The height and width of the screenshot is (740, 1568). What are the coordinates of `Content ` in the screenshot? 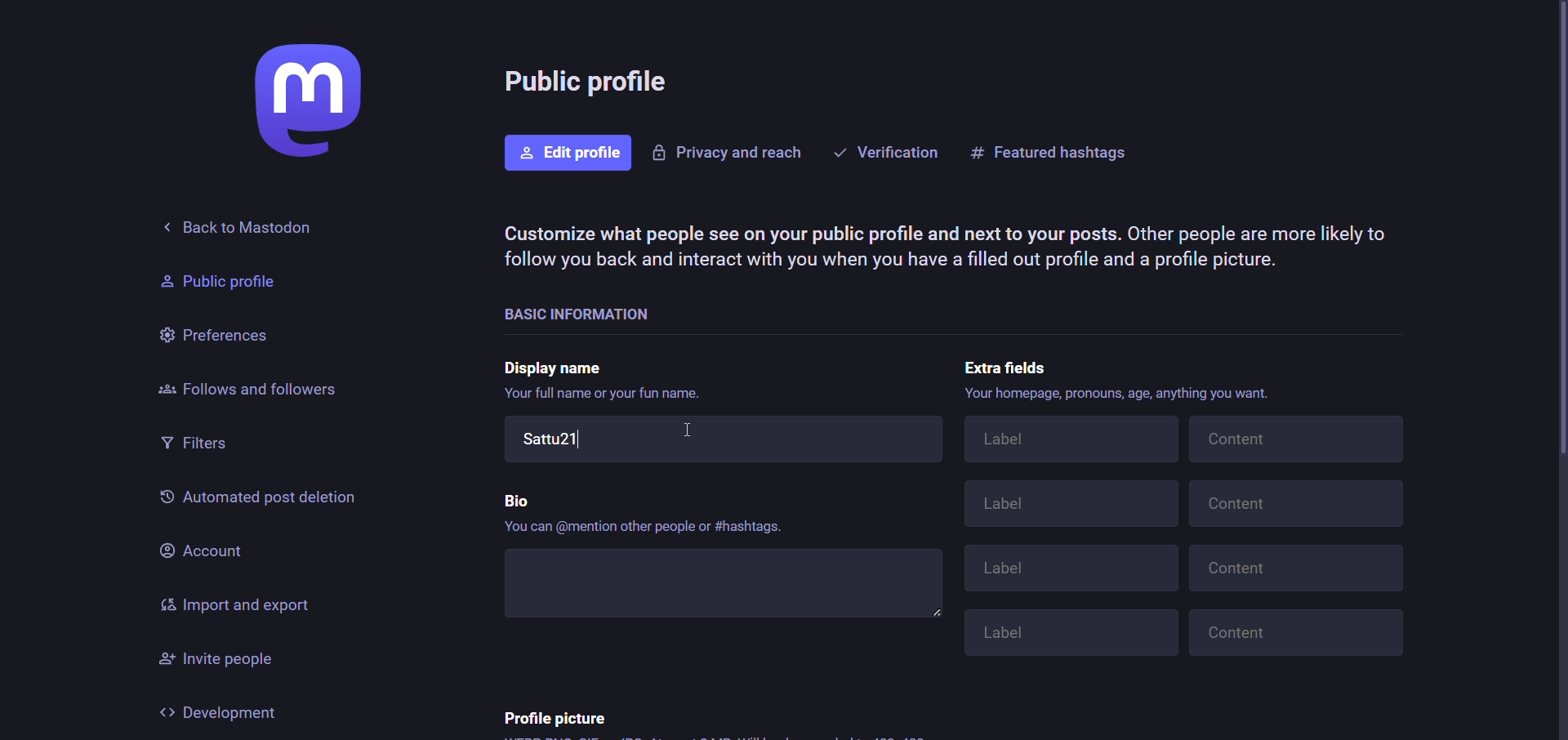 It's located at (1293, 635).